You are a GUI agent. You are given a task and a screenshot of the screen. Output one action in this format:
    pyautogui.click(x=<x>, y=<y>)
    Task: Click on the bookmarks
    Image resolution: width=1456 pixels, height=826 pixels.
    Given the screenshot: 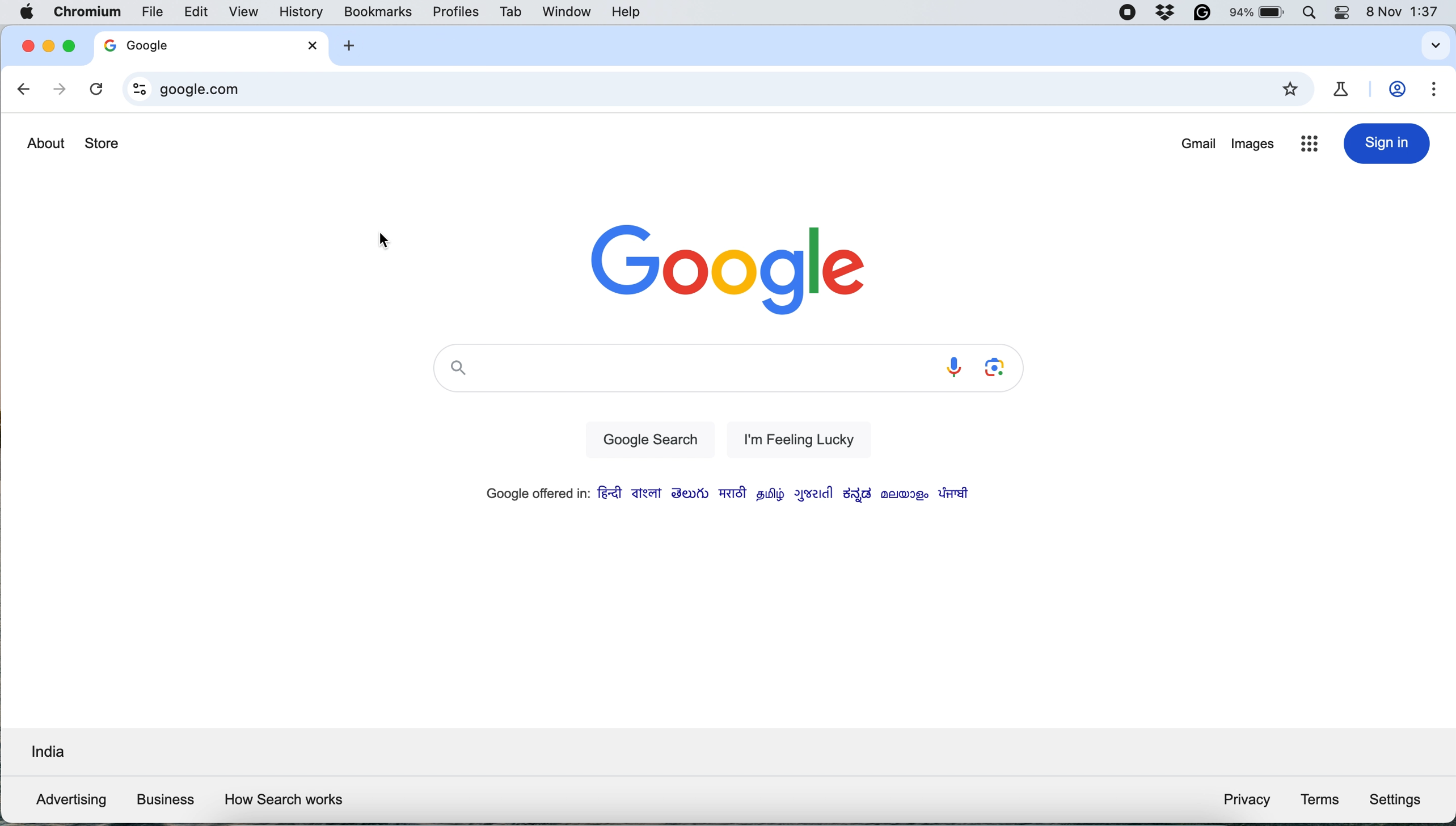 What is the action you would take?
    pyautogui.click(x=378, y=11)
    